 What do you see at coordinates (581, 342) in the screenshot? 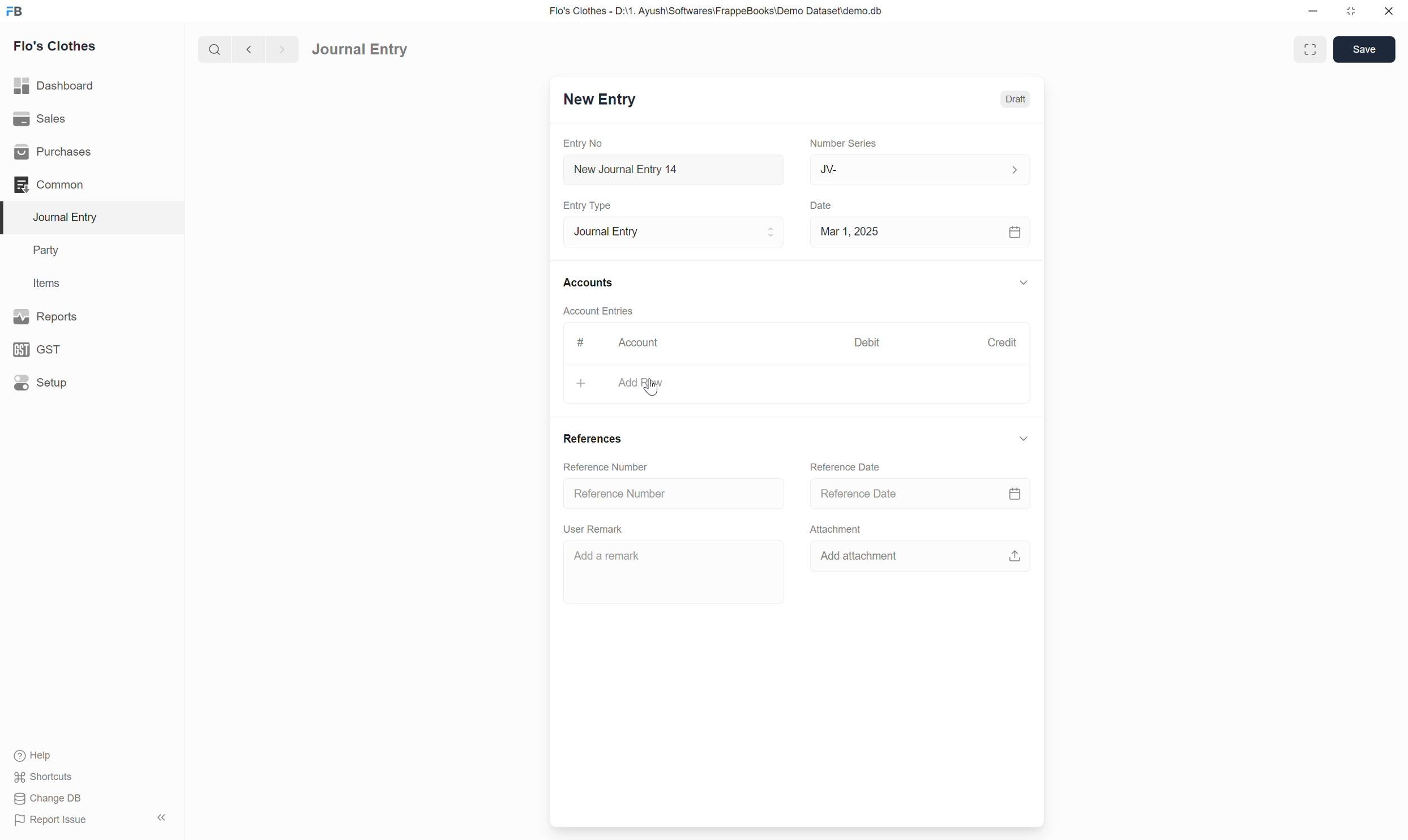
I see `#` at bounding box center [581, 342].